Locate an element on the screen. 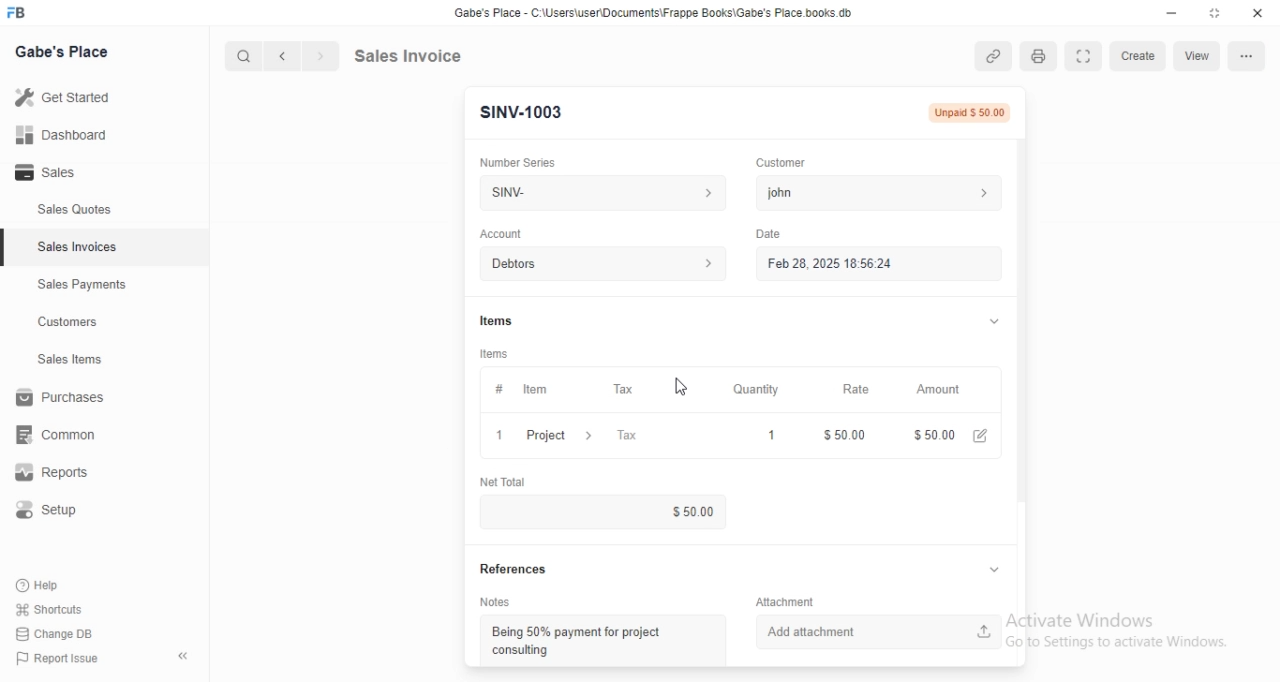 The height and width of the screenshot is (682, 1280).  is located at coordinates (499, 320).